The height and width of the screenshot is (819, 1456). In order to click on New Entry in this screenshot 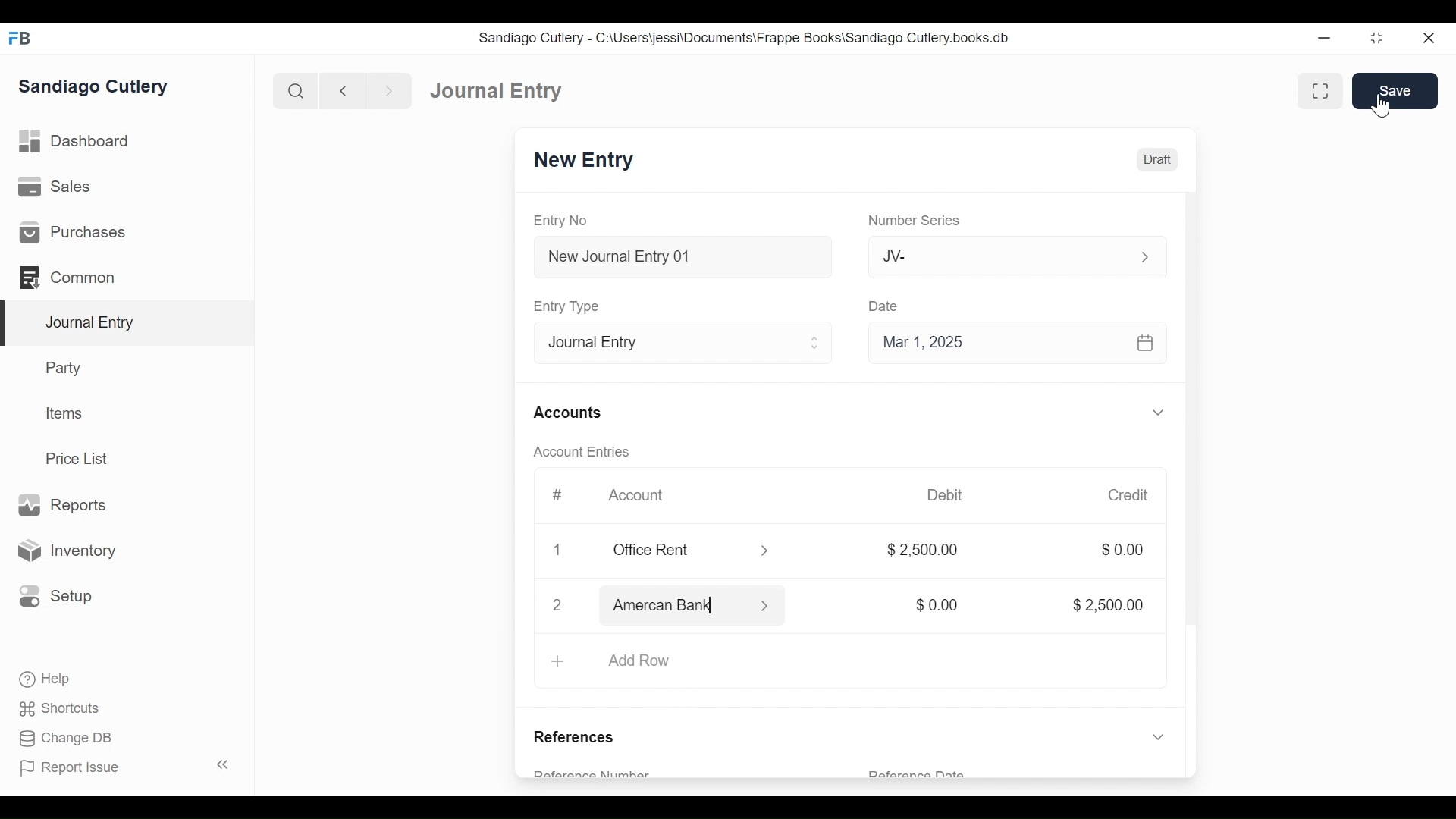, I will do `click(585, 161)`.